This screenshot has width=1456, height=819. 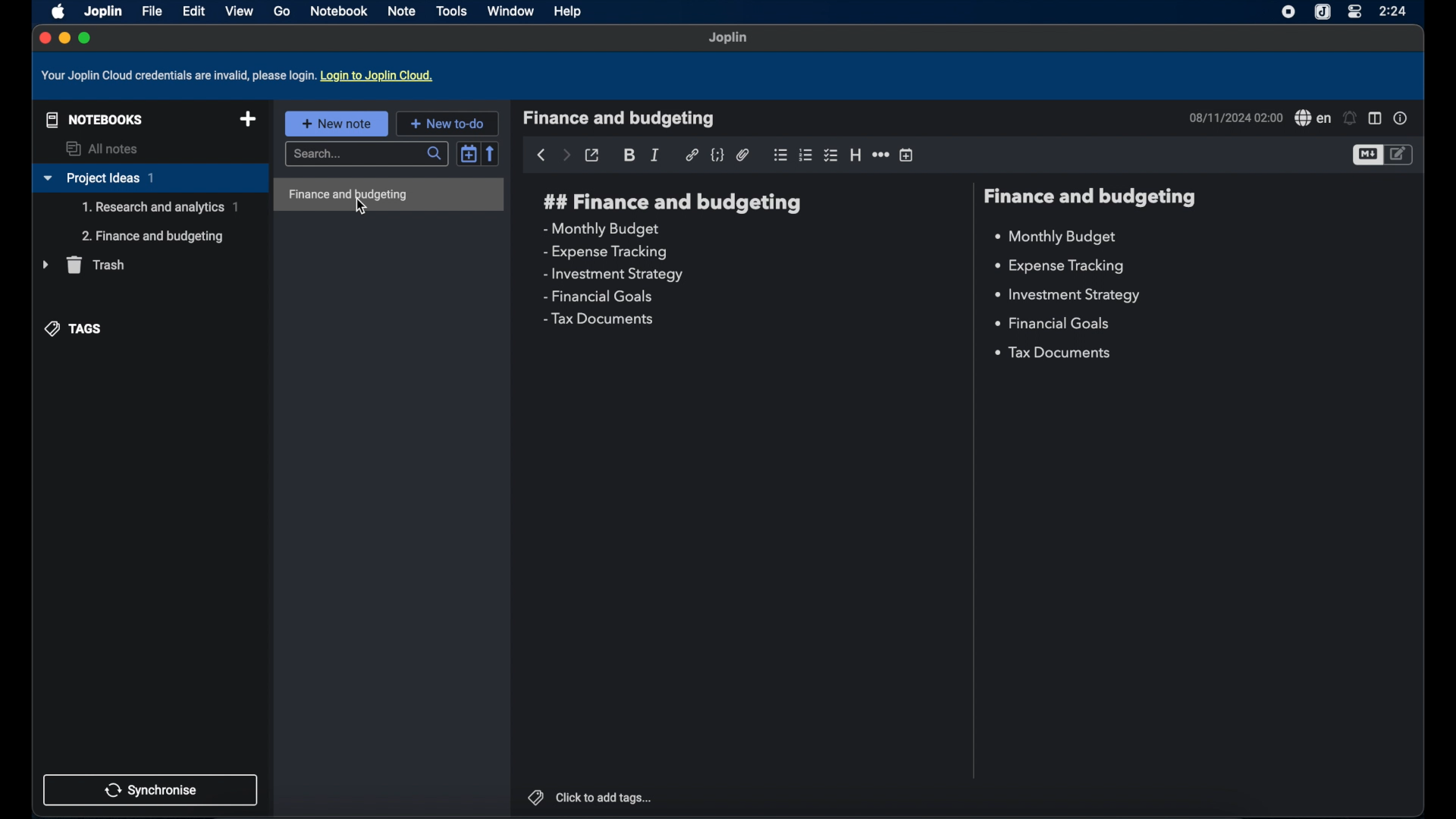 What do you see at coordinates (692, 155) in the screenshot?
I see `hyperlink` at bounding box center [692, 155].